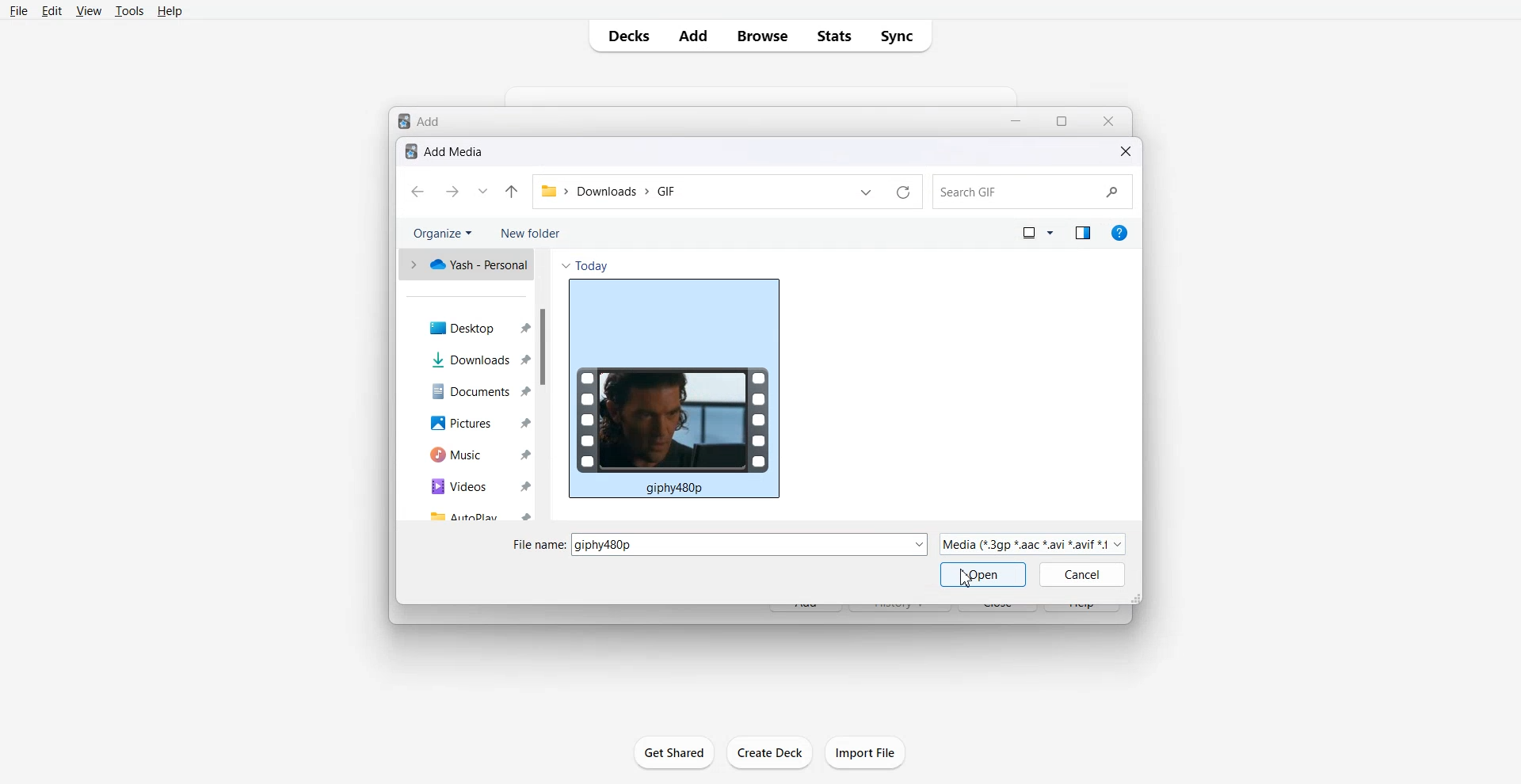 This screenshot has width=1521, height=784. What do you see at coordinates (1038, 234) in the screenshot?
I see `Change your View` at bounding box center [1038, 234].